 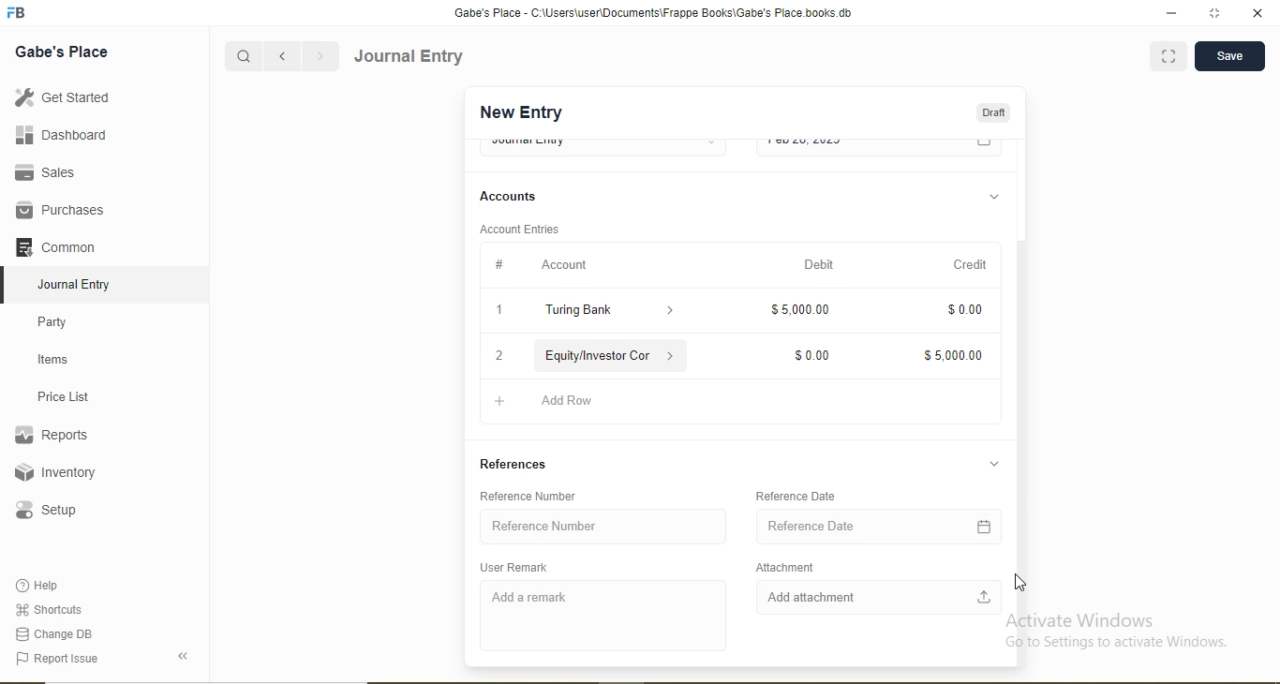 What do you see at coordinates (42, 172) in the screenshot?
I see `Sales` at bounding box center [42, 172].